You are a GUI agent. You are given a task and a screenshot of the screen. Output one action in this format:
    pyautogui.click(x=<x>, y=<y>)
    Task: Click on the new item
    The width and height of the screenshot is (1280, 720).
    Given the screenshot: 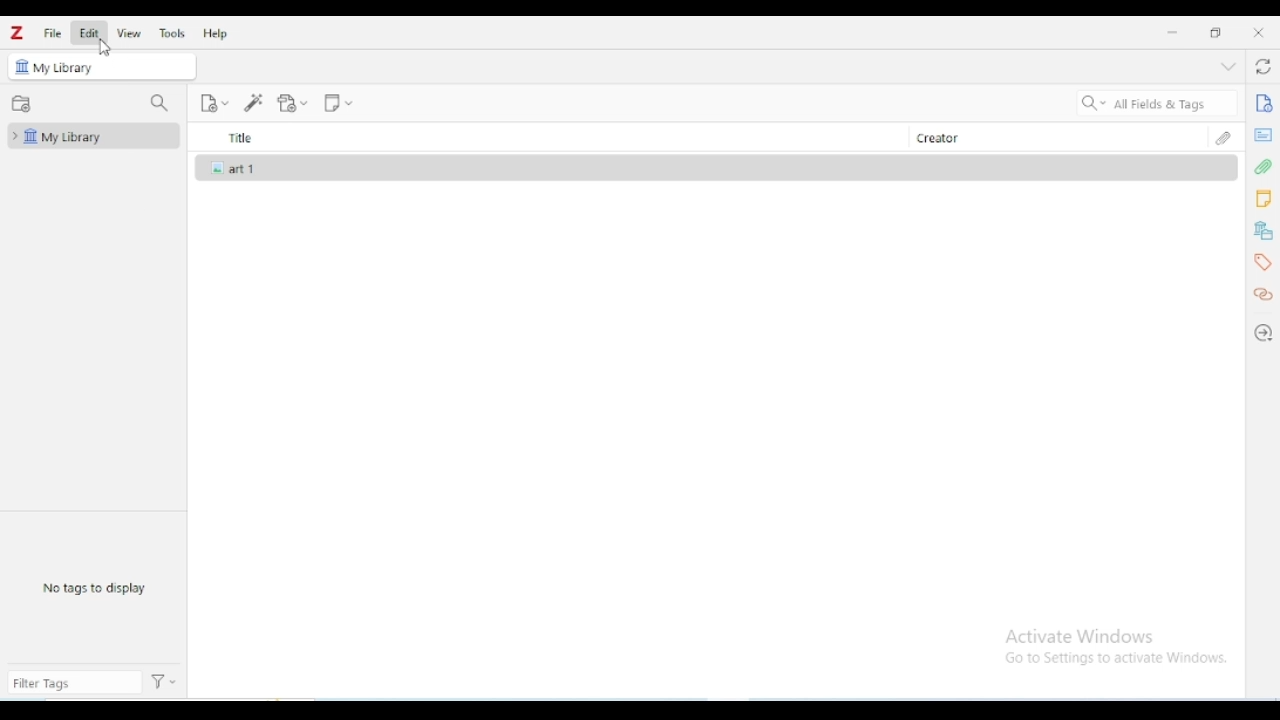 What is the action you would take?
    pyautogui.click(x=214, y=104)
    